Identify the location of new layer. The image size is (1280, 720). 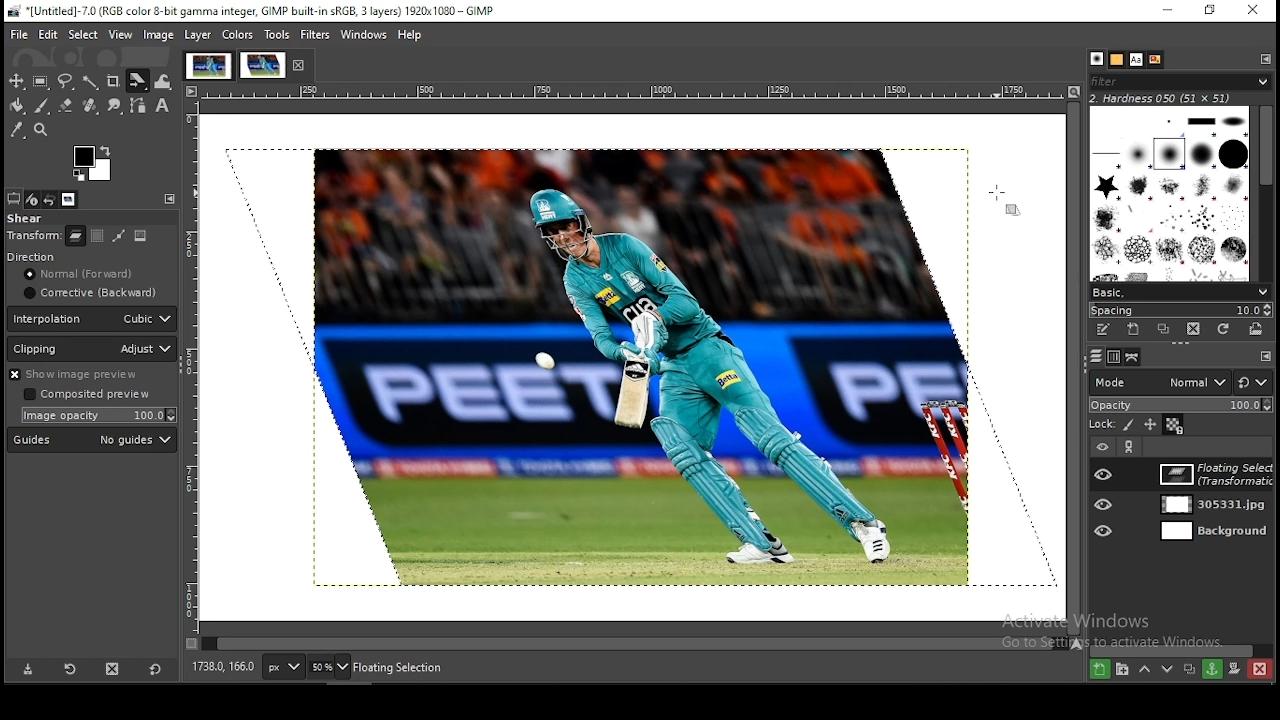
(1099, 670).